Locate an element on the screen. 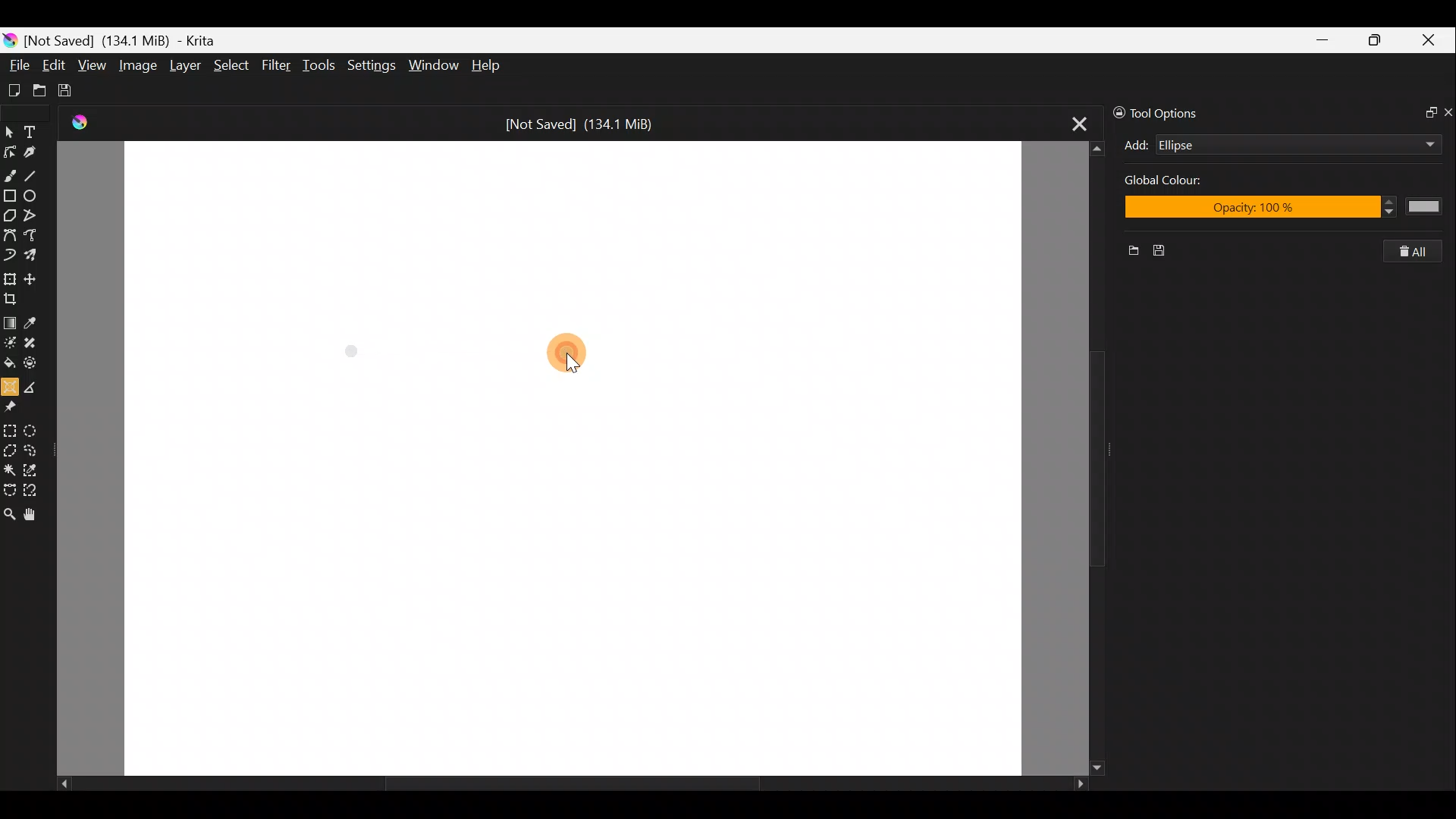  Opacity: 100% is located at coordinates (1285, 209).